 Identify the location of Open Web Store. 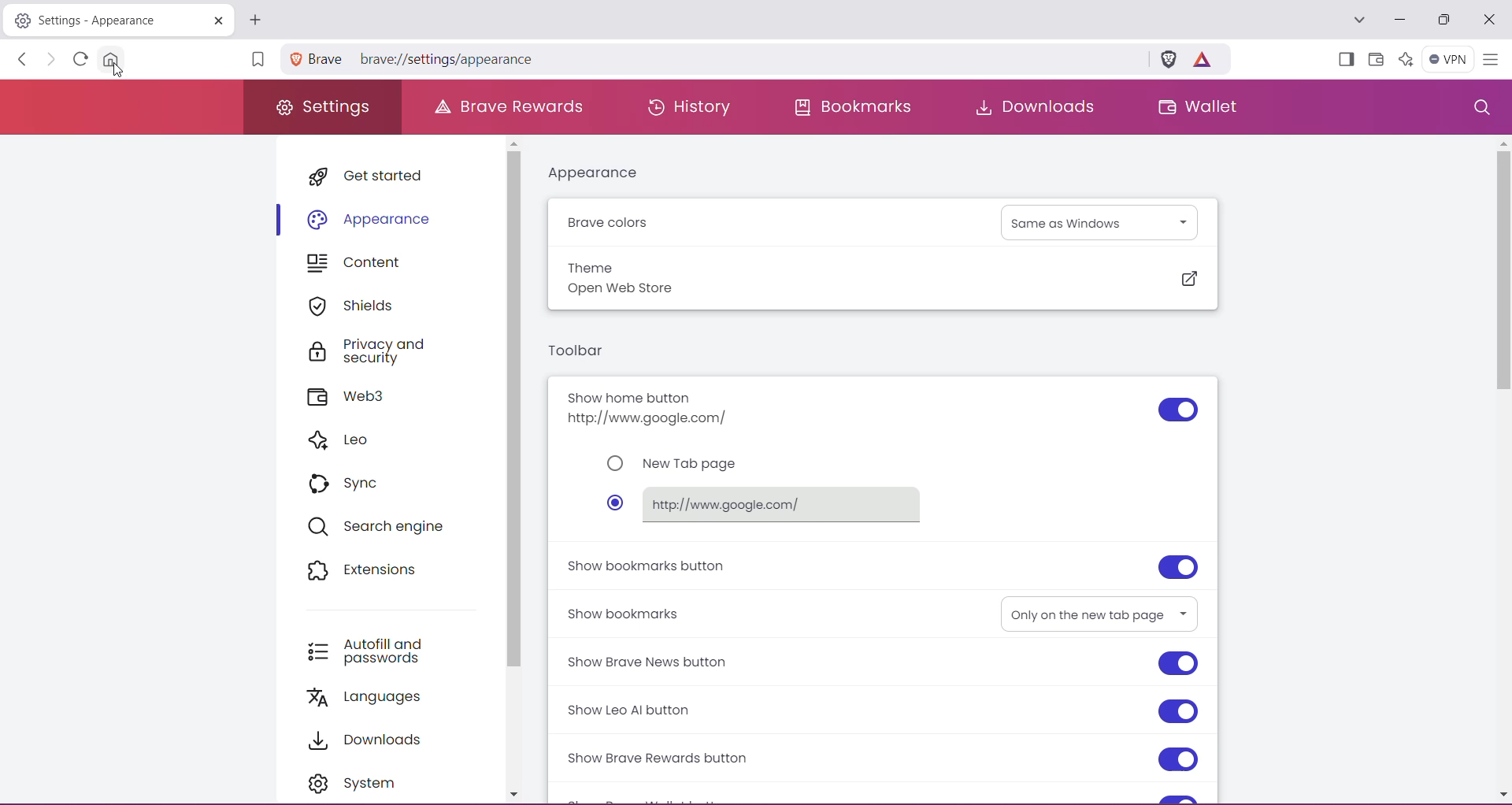
(633, 291).